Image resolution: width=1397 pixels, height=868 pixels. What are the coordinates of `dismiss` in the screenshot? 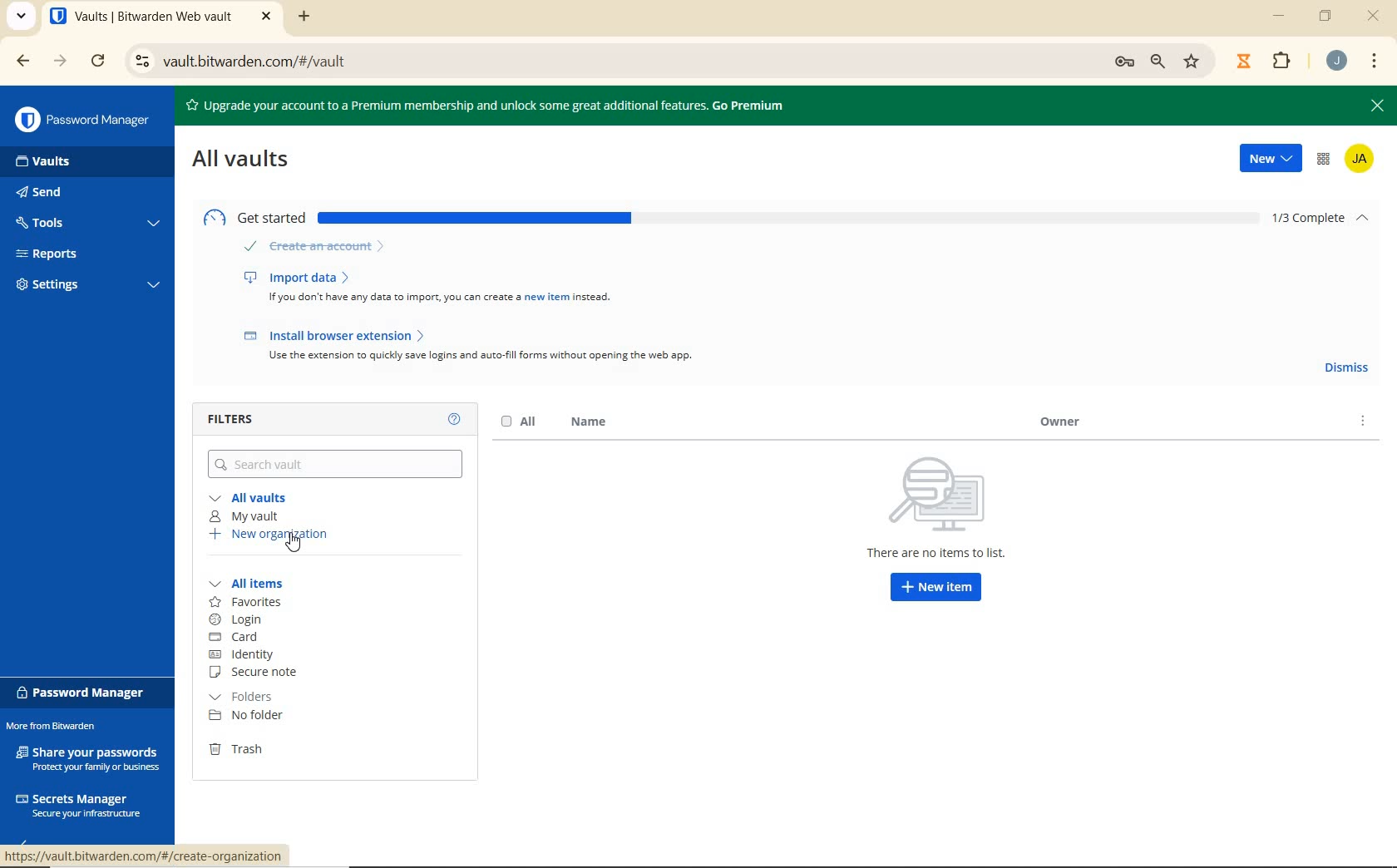 It's located at (1345, 367).